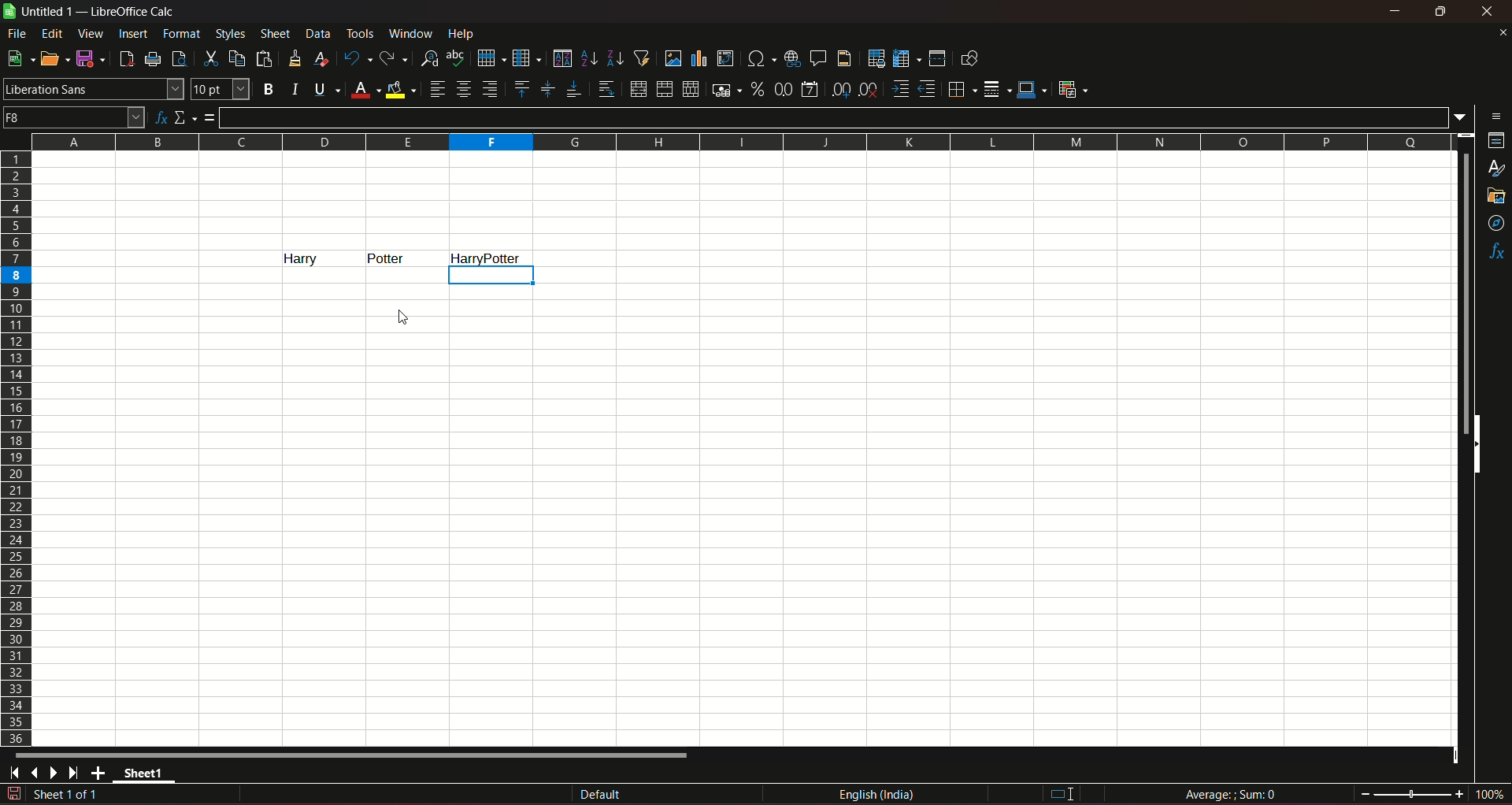 The width and height of the screenshot is (1512, 805). Describe the element at coordinates (100, 773) in the screenshot. I see `add new sheet` at that location.